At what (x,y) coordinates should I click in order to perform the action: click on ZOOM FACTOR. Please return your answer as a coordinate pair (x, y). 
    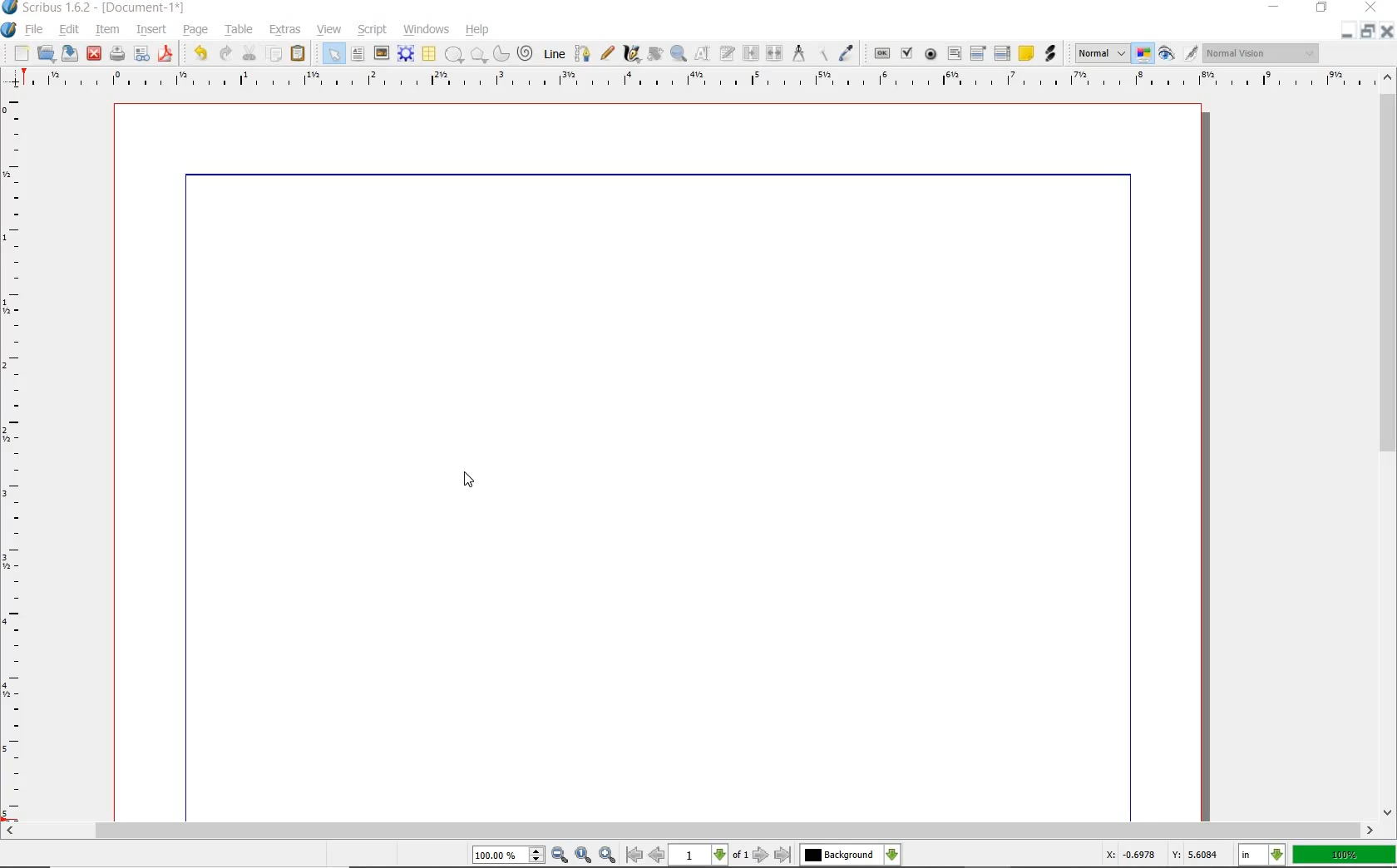
    Looking at the image, I should click on (1344, 856).